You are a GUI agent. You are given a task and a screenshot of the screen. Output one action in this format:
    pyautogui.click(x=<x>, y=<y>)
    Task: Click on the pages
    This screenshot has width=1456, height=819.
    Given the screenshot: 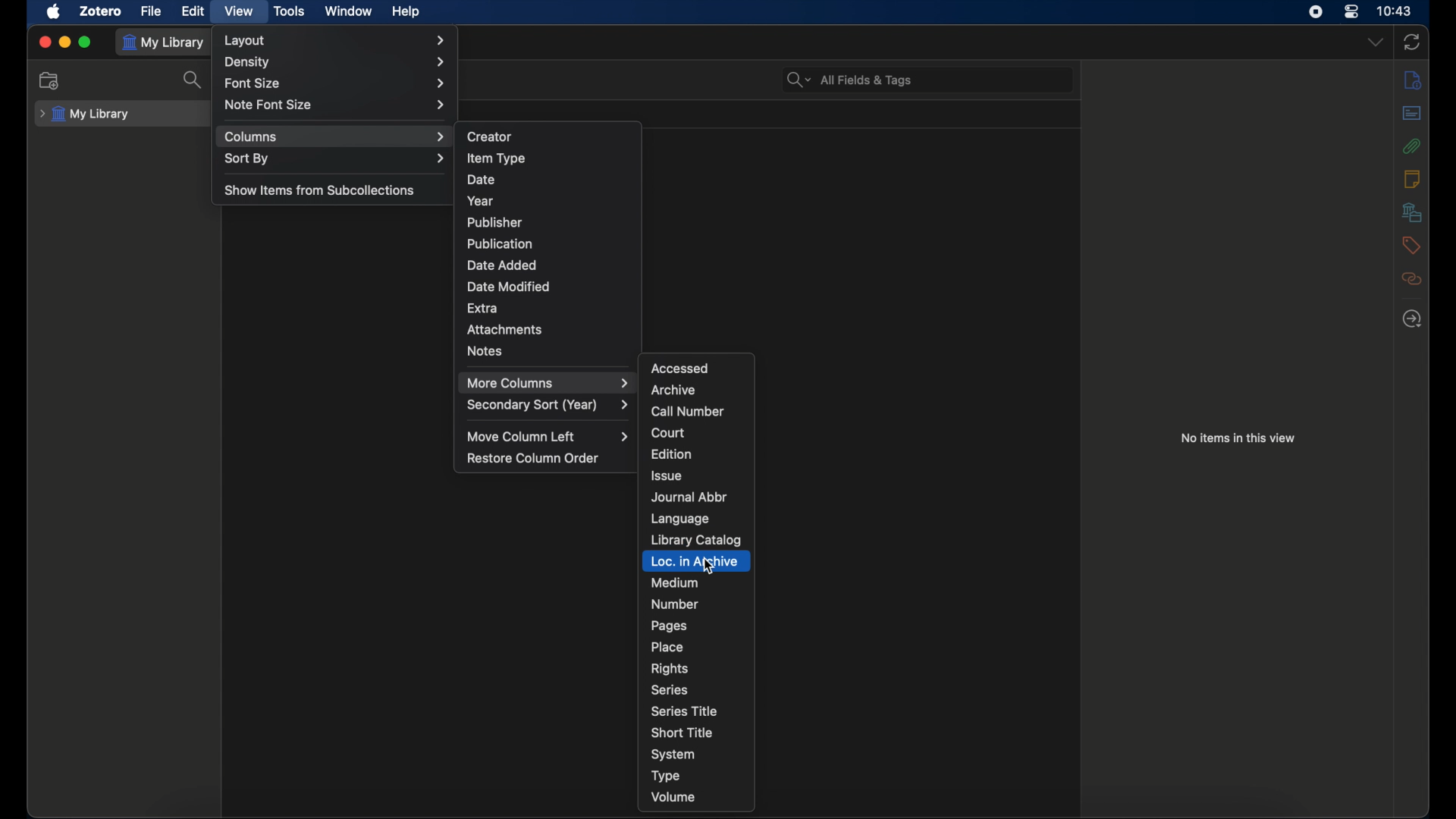 What is the action you would take?
    pyautogui.click(x=669, y=626)
    